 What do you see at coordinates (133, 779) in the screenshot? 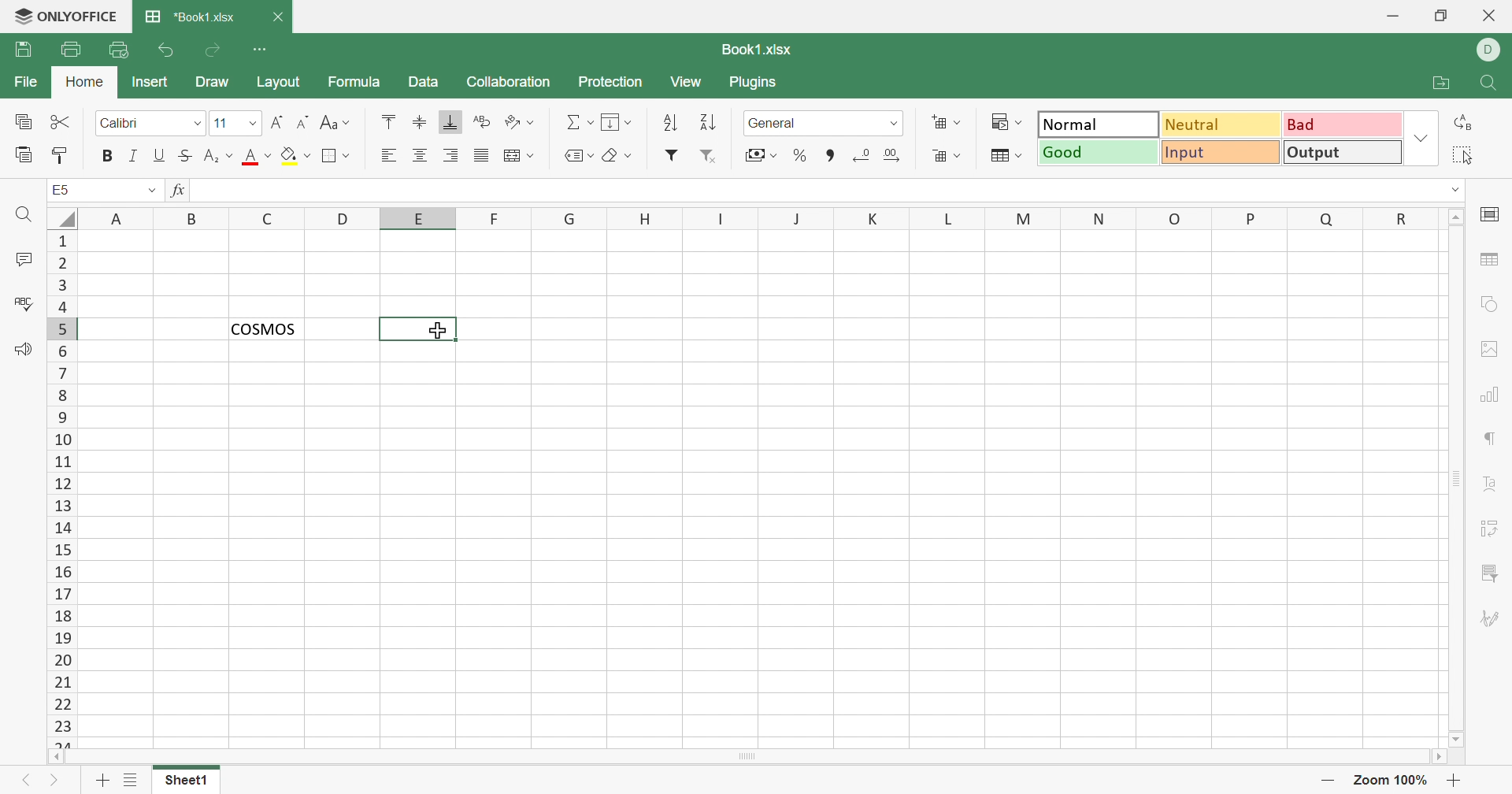
I see `List of sheets` at bounding box center [133, 779].